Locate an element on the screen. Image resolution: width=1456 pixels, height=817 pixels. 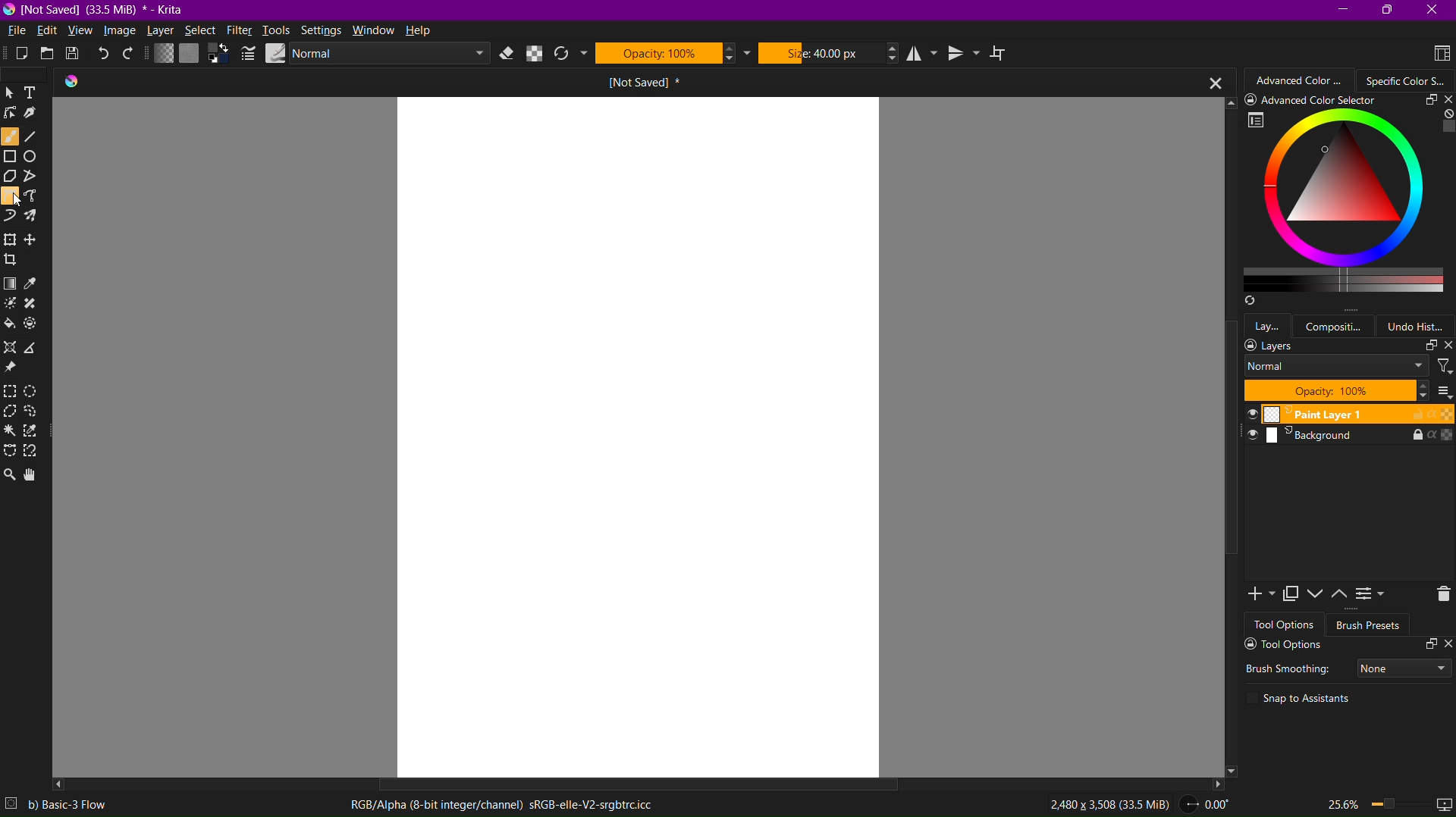
Advanced Color Selector is located at coordinates (1302, 80).